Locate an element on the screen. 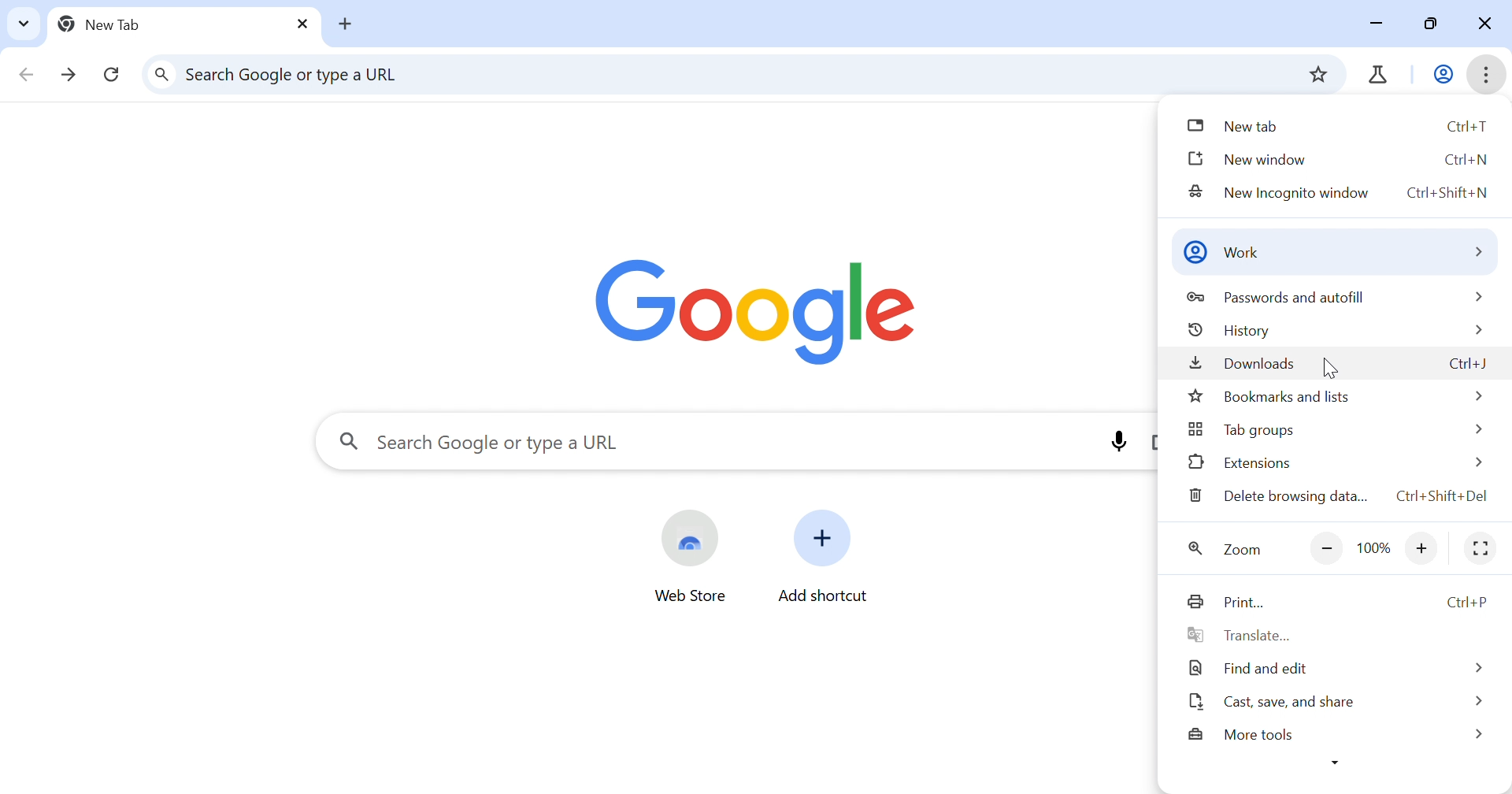  Search Google or type a URL is located at coordinates (298, 74).